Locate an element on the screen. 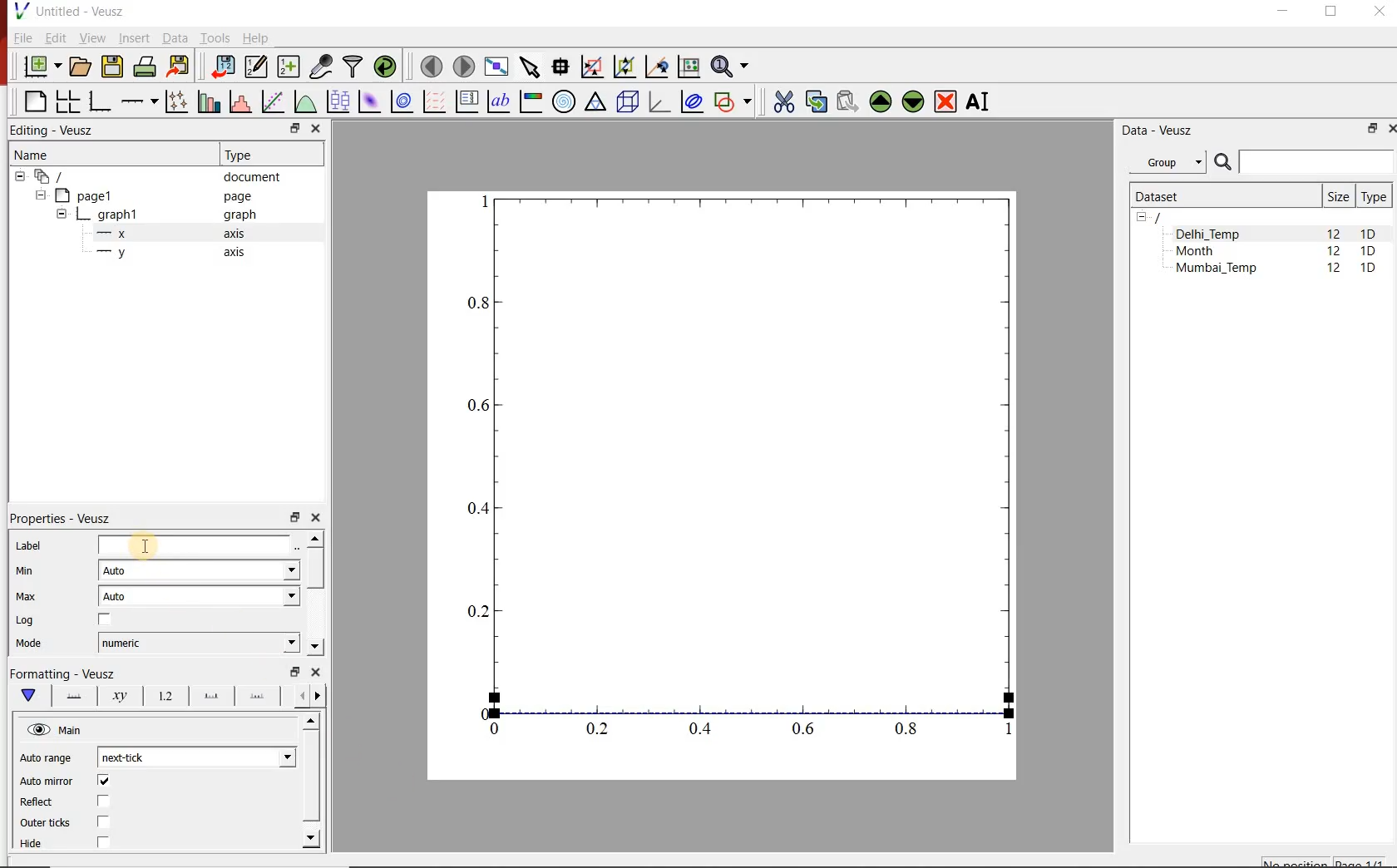  restore is located at coordinates (296, 128).